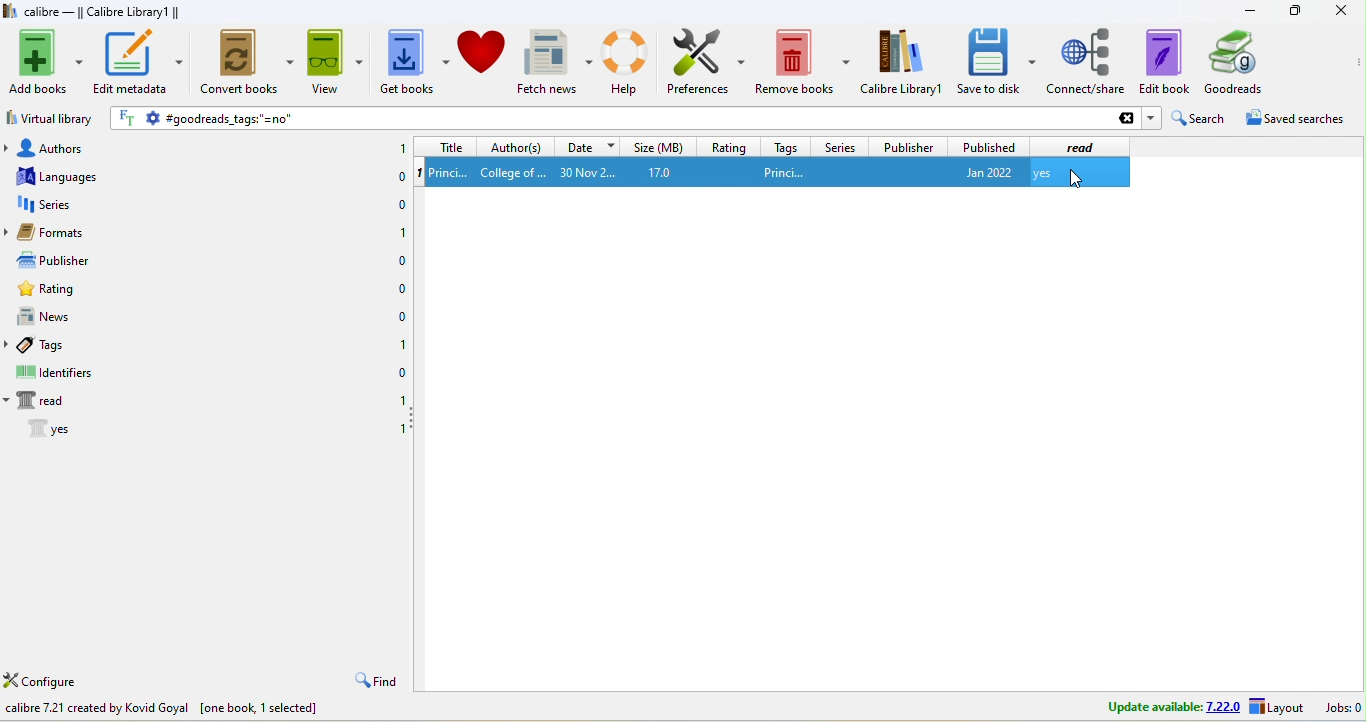 This screenshot has height=722, width=1366. I want to click on 1, so click(399, 430).